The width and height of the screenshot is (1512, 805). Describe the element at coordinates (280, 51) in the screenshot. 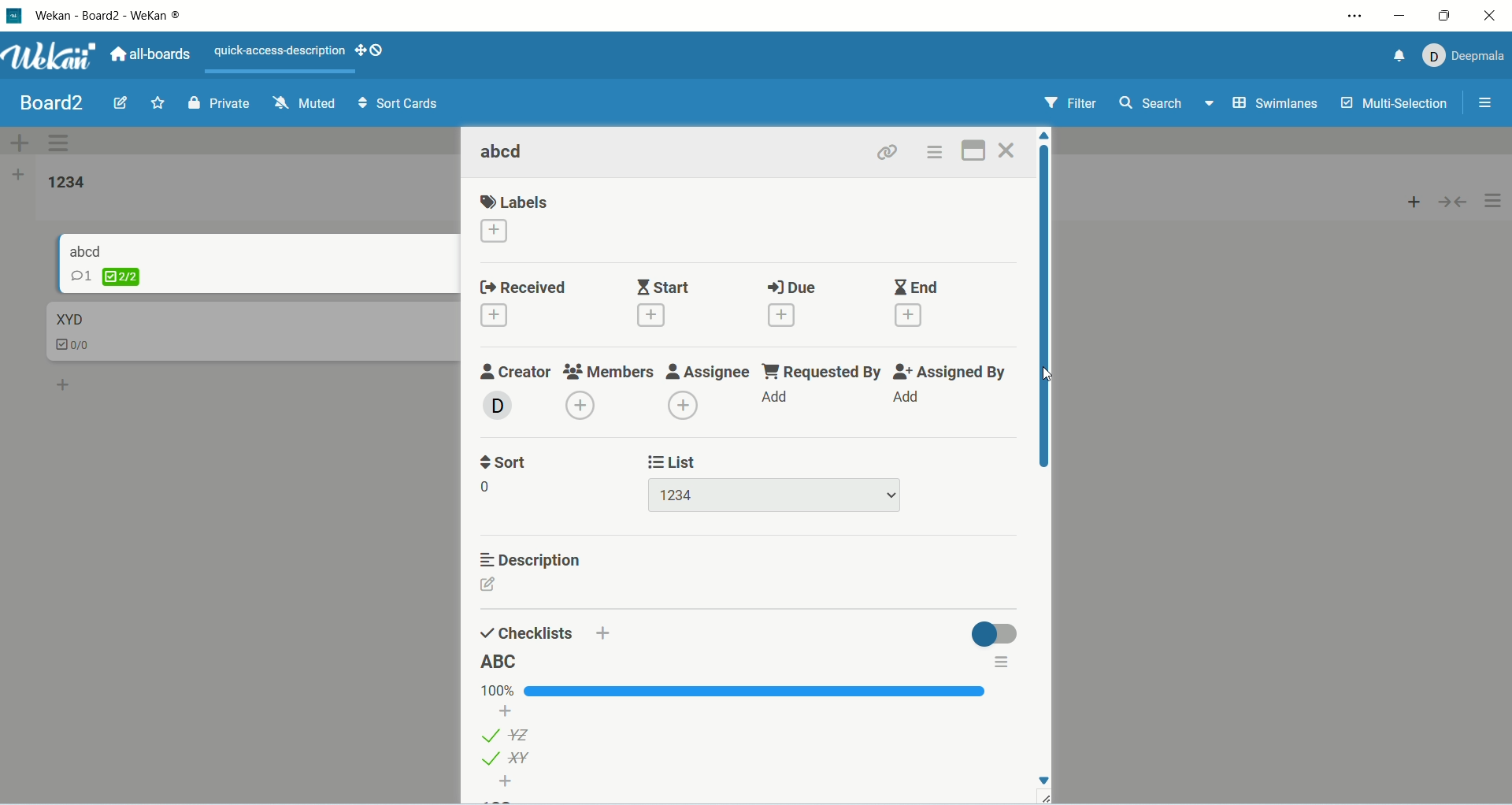

I see `text` at that location.